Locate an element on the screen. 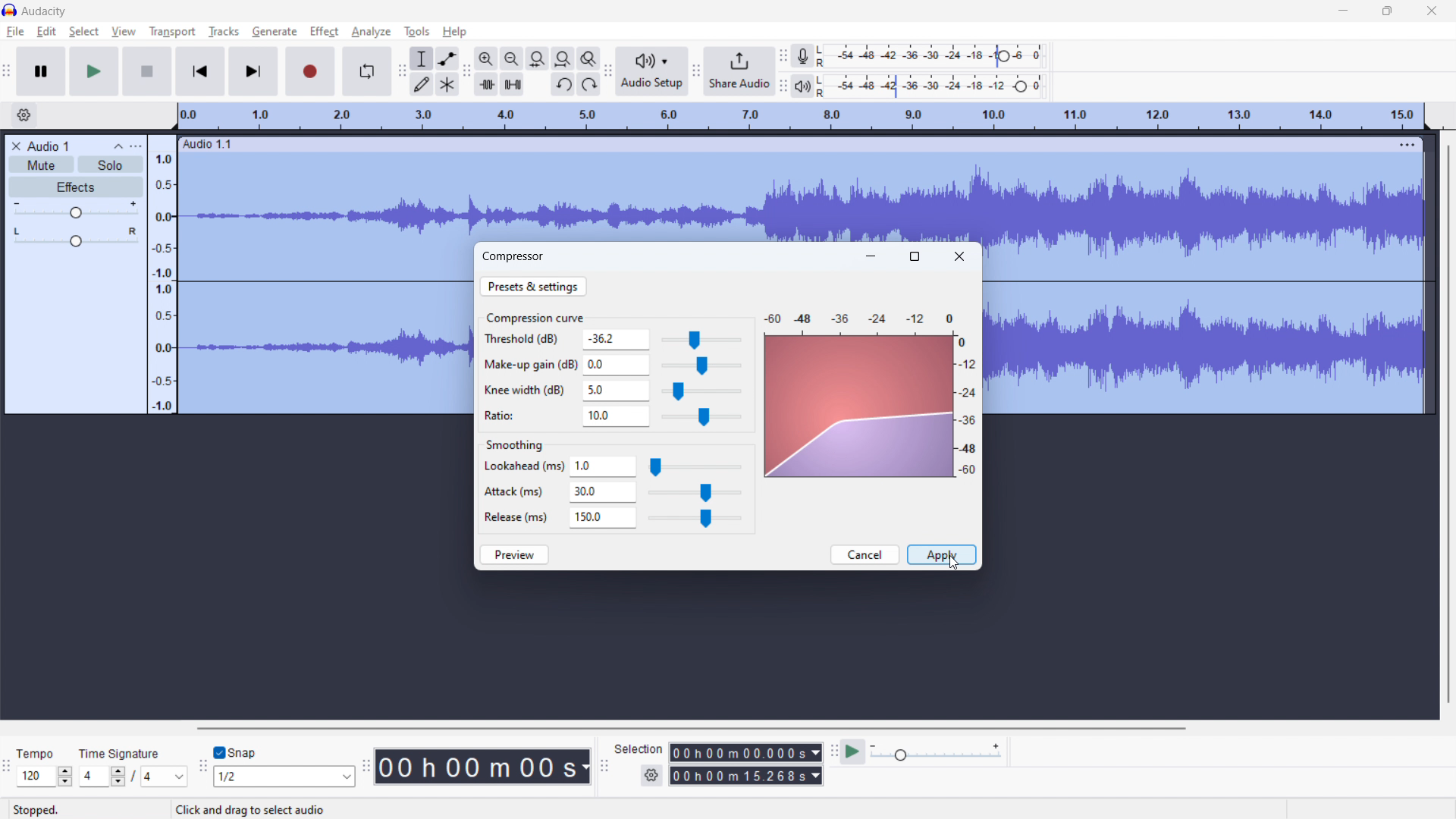 The image size is (1456, 819). fit selection to width is located at coordinates (538, 58).